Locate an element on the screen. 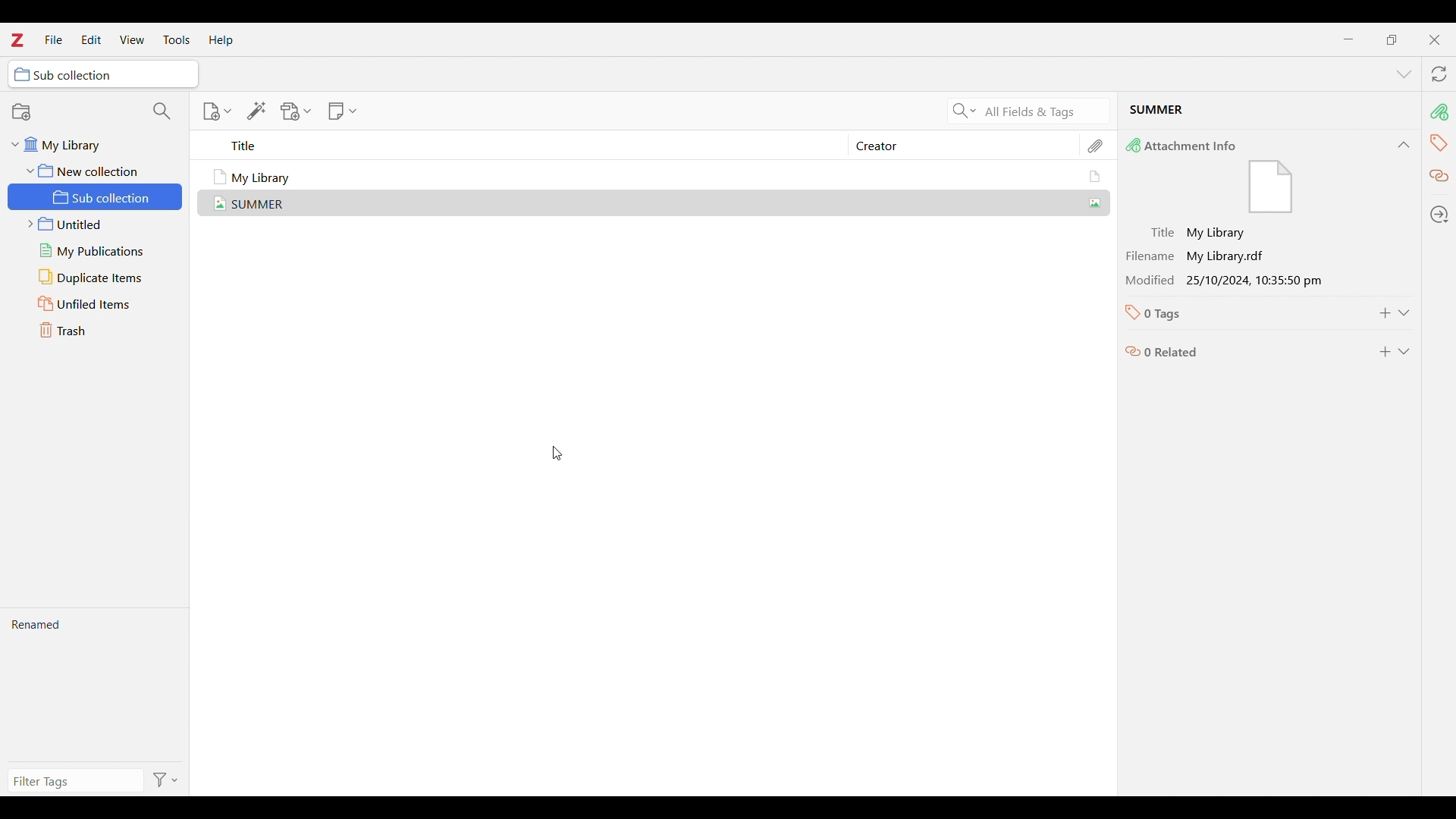 This screenshot has width=1456, height=819. Attachment Info is located at coordinates (1250, 176).